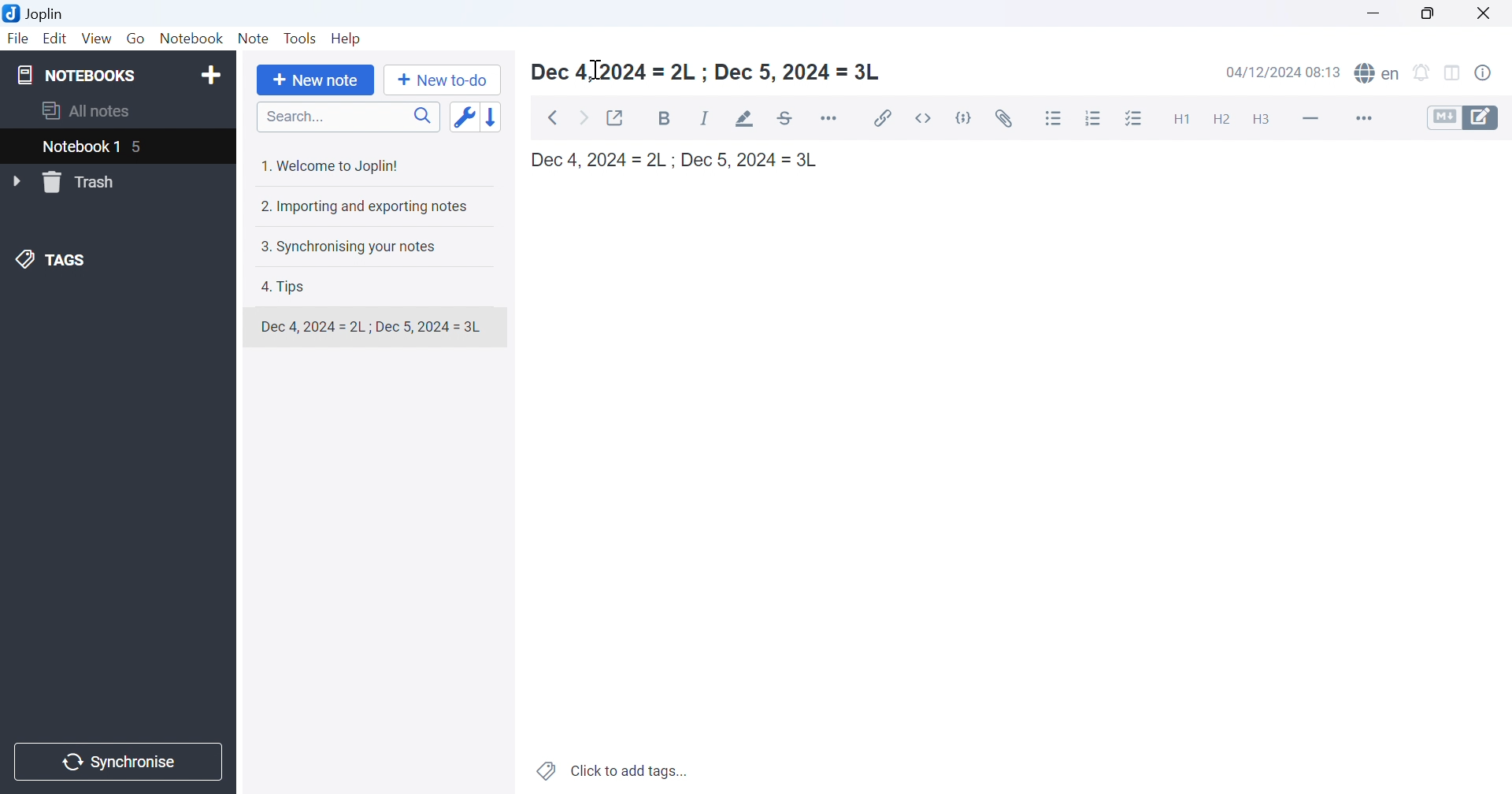 Image resolution: width=1512 pixels, height=794 pixels. Describe the element at coordinates (495, 114) in the screenshot. I see `Reverse sort order` at that location.